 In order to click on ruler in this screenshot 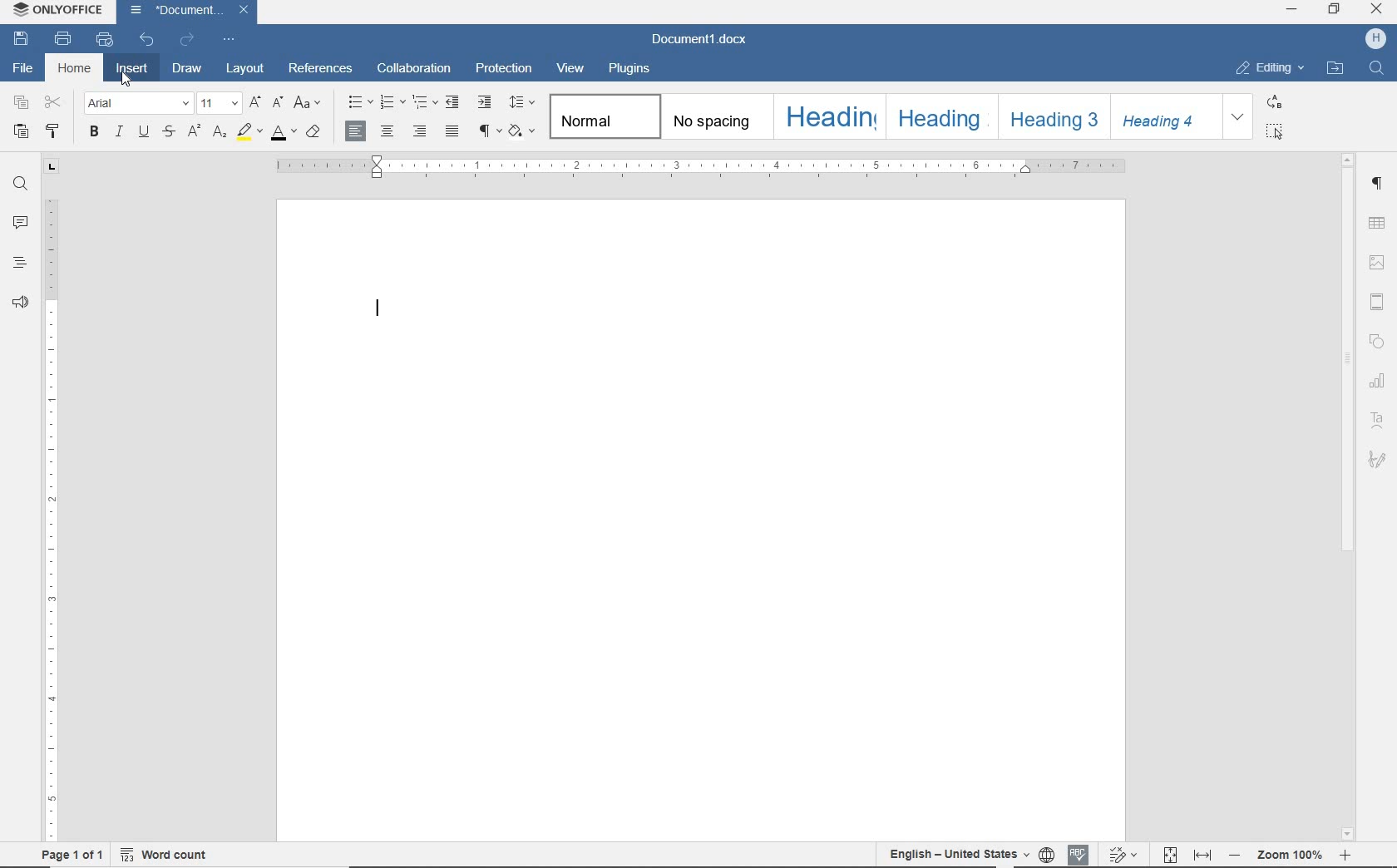, I will do `click(701, 165)`.